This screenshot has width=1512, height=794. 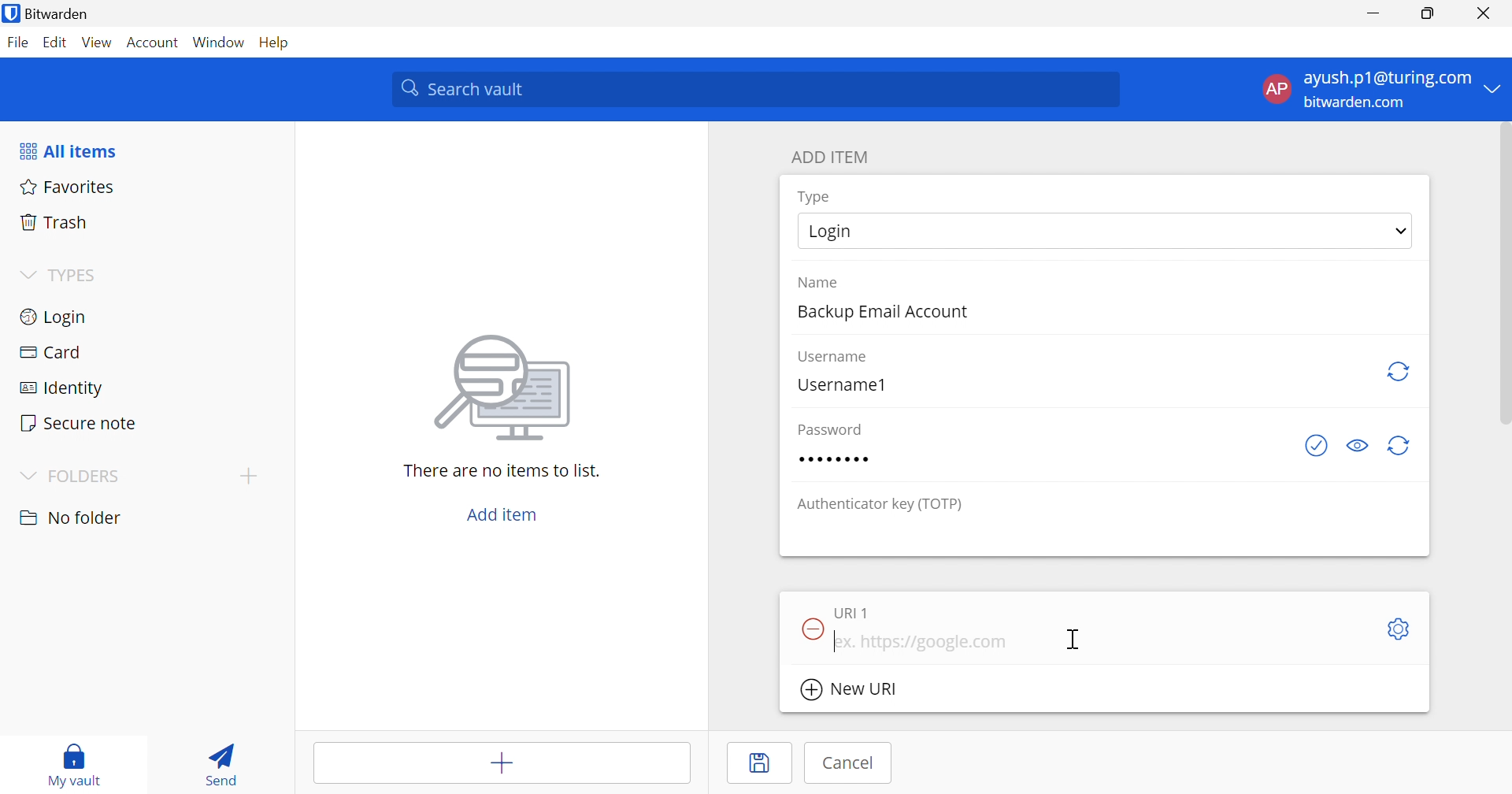 What do you see at coordinates (1275, 89) in the screenshot?
I see `AP` at bounding box center [1275, 89].